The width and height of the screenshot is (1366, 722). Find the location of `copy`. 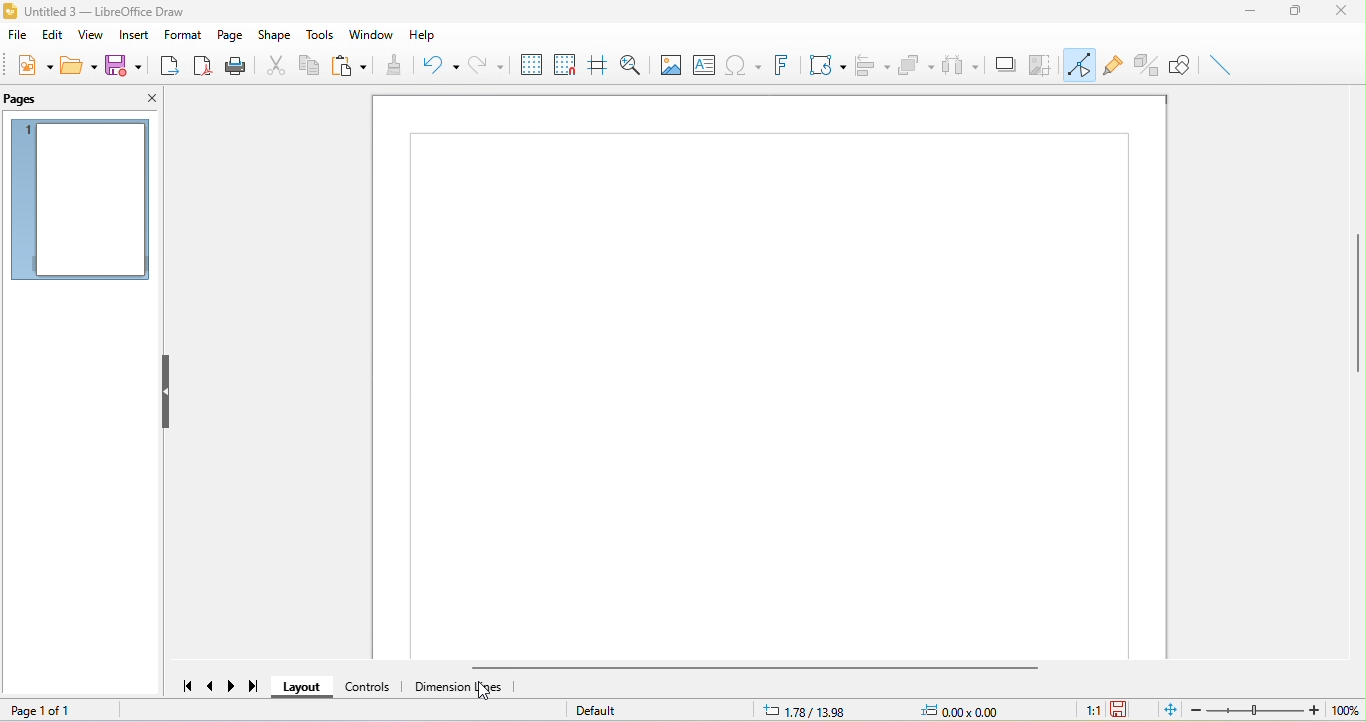

copy is located at coordinates (310, 65).